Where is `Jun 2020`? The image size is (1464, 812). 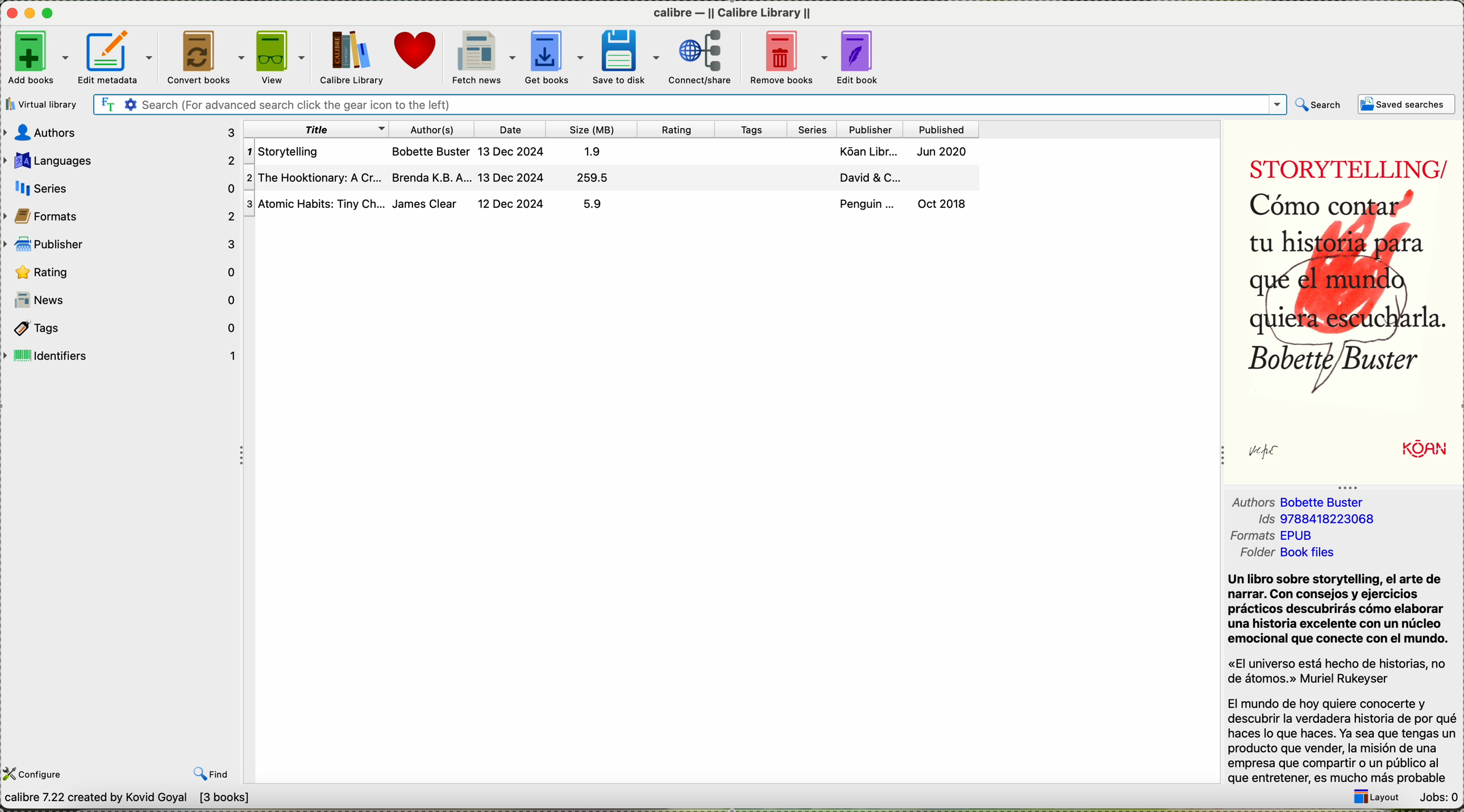 Jun 2020 is located at coordinates (947, 151).